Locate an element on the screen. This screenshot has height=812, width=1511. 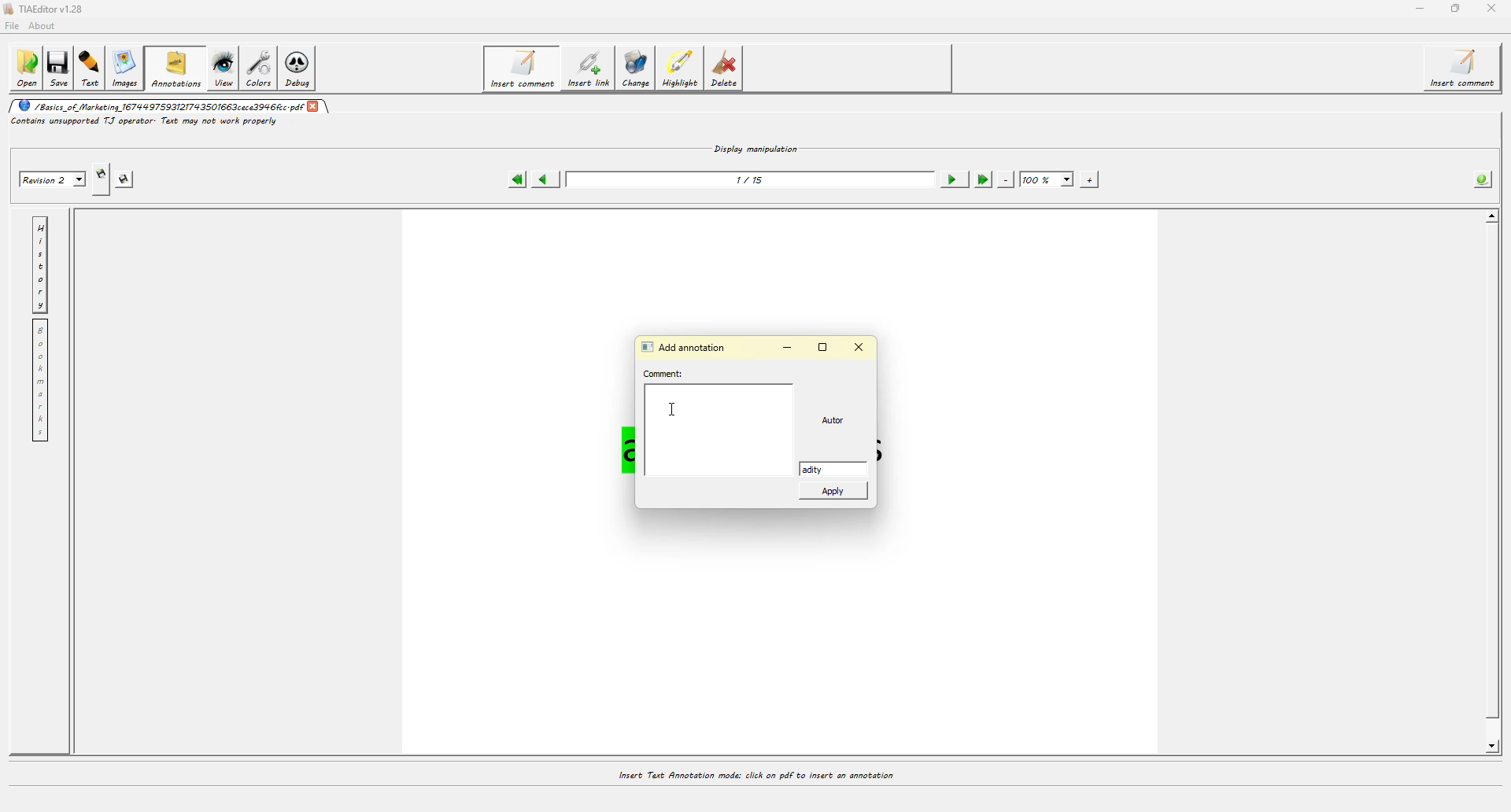
insert comment is located at coordinates (1466, 68).